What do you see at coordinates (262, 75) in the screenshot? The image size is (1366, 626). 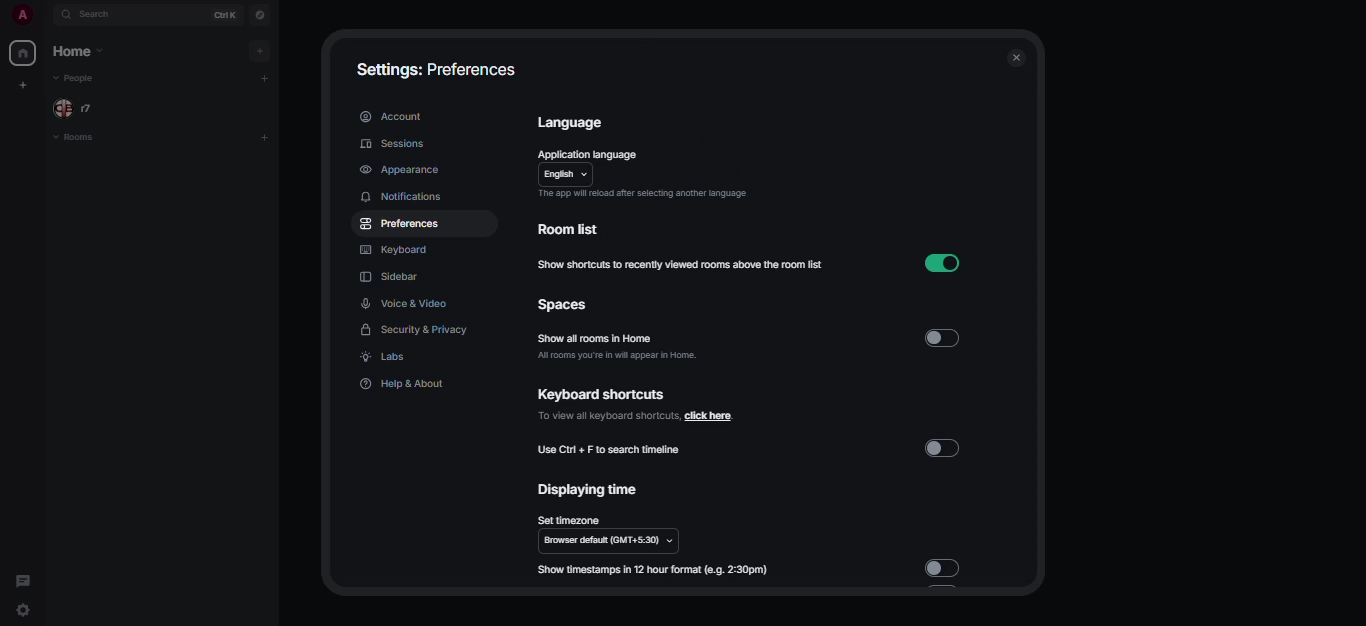 I see `add` at bounding box center [262, 75].